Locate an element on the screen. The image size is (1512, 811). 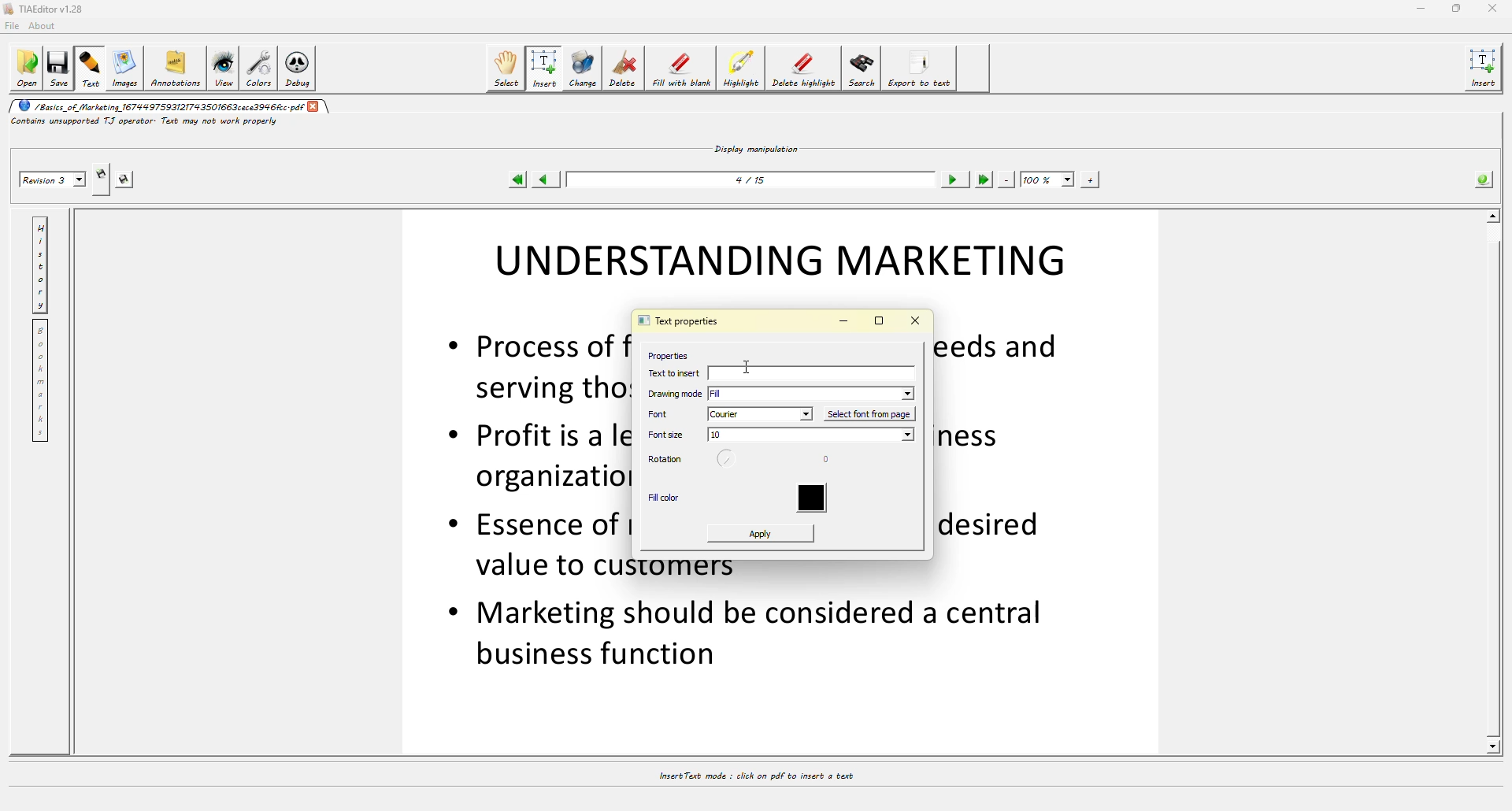
text cursor is located at coordinates (749, 365).